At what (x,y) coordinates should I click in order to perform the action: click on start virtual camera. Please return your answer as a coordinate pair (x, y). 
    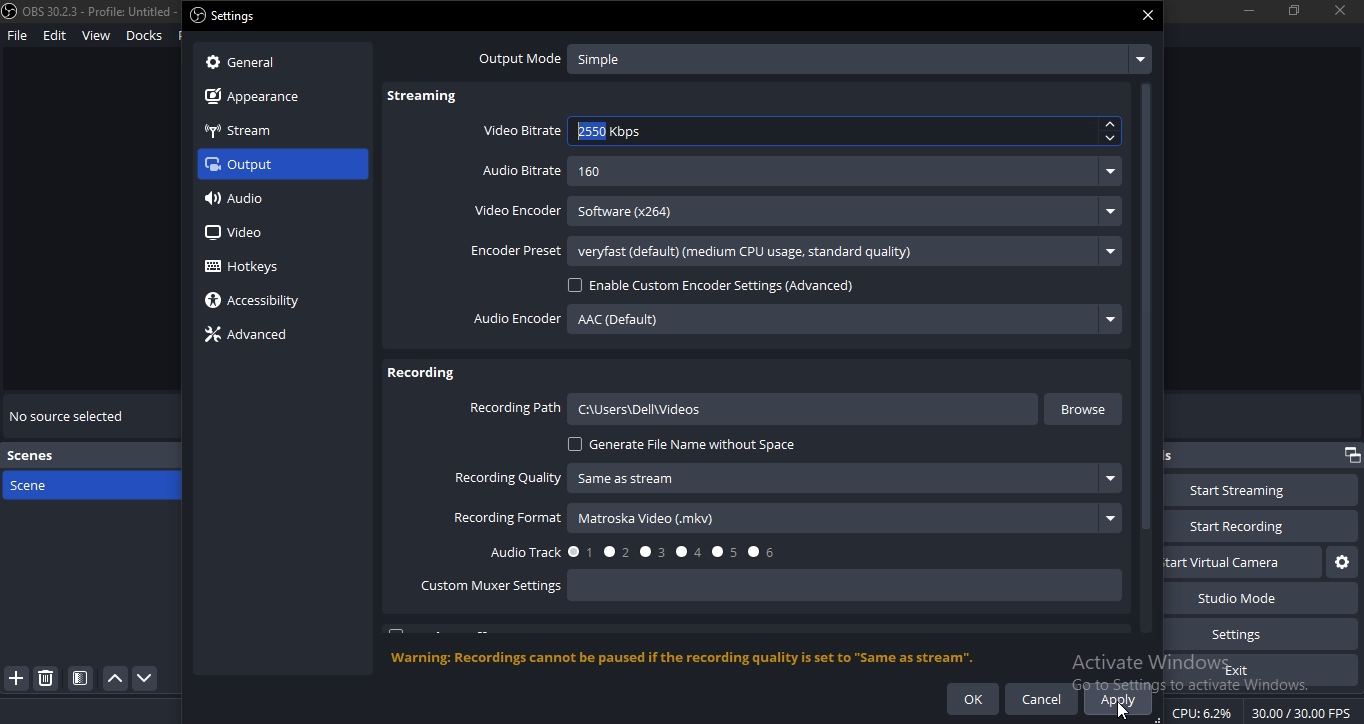
    Looking at the image, I should click on (1339, 563).